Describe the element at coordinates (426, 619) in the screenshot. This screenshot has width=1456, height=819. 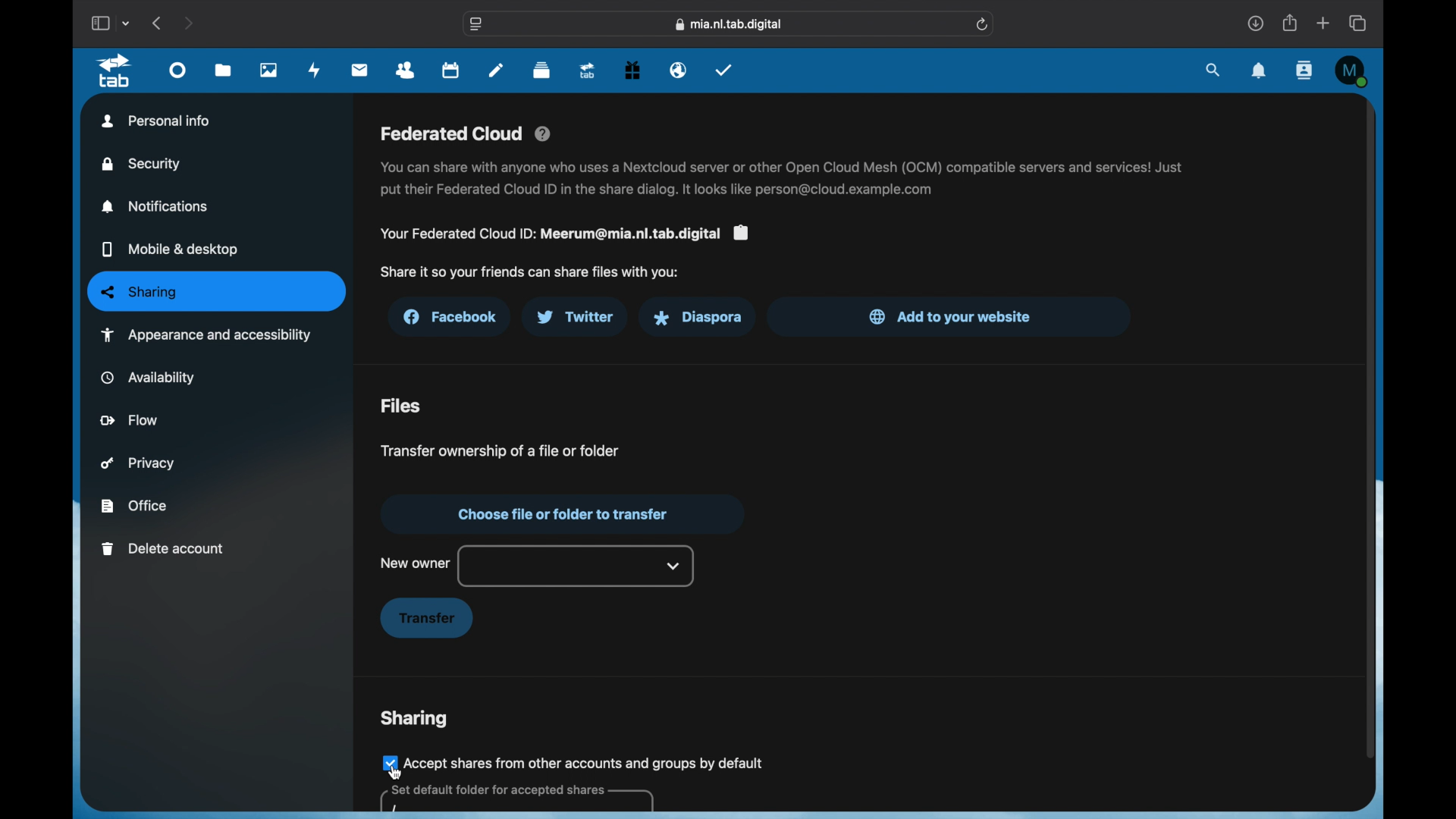
I see `transfer` at that location.